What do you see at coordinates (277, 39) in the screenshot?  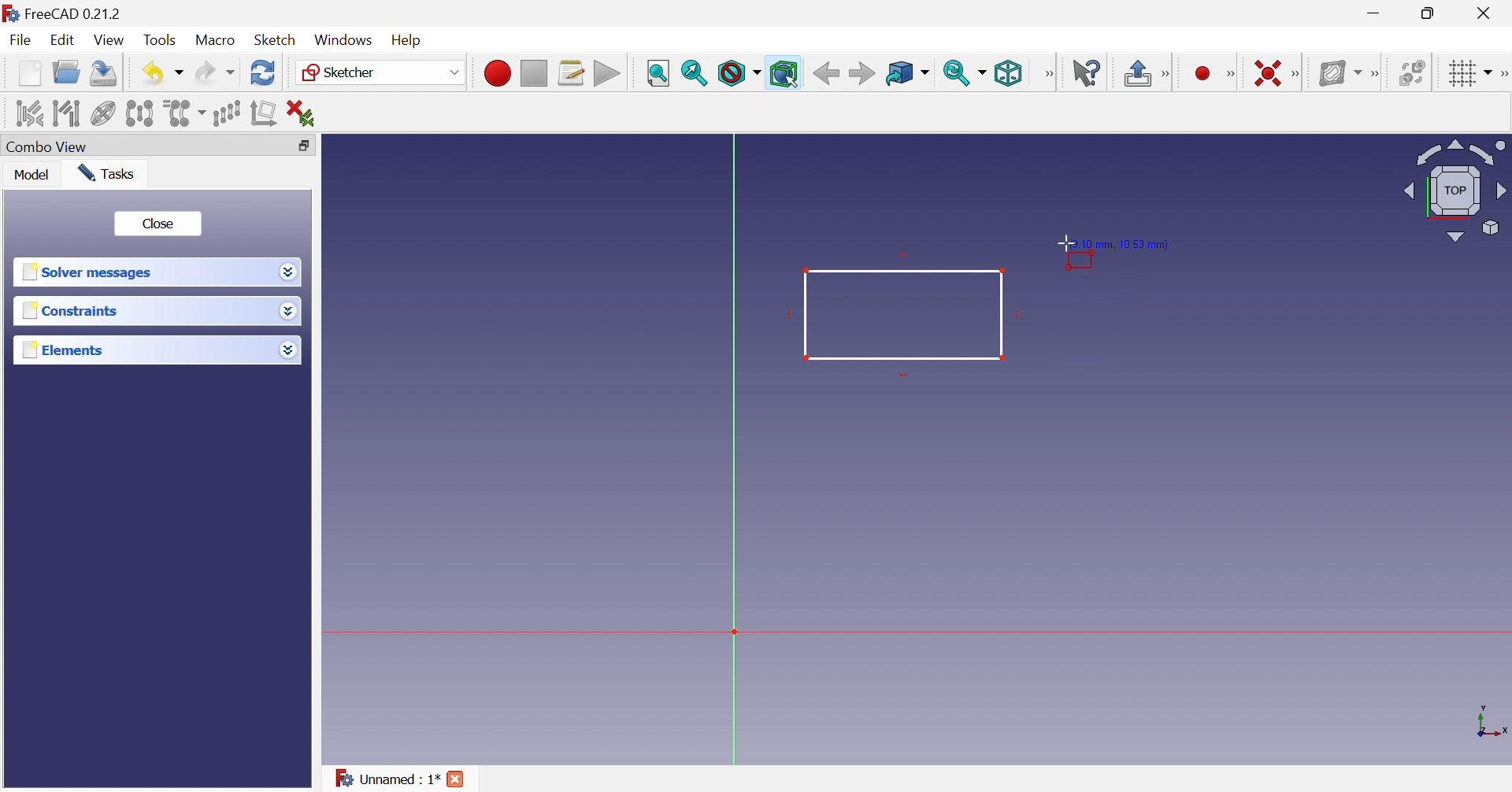 I see `Sketch` at bounding box center [277, 39].